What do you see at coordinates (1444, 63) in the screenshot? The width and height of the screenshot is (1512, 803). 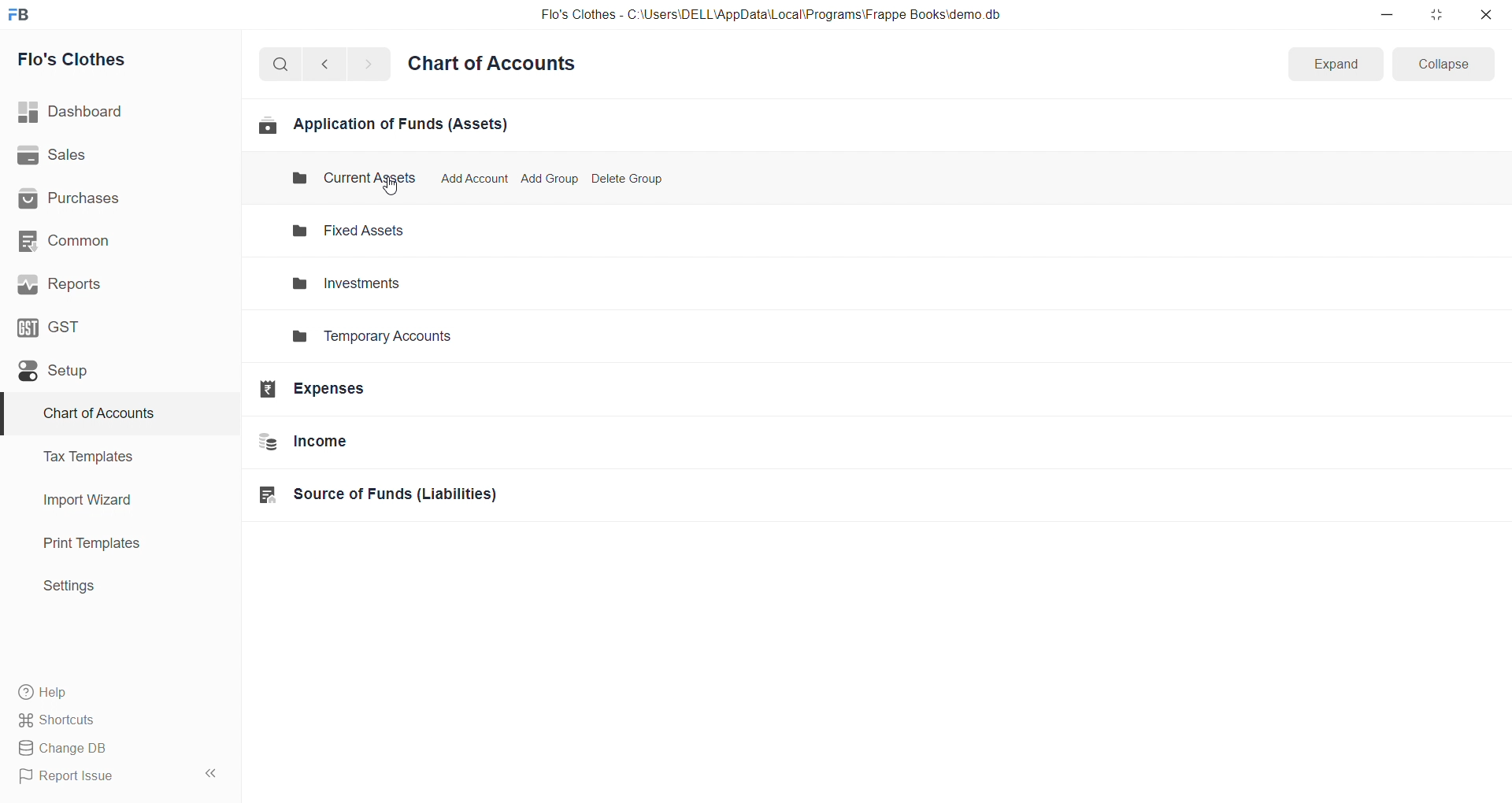 I see `Collapse` at bounding box center [1444, 63].